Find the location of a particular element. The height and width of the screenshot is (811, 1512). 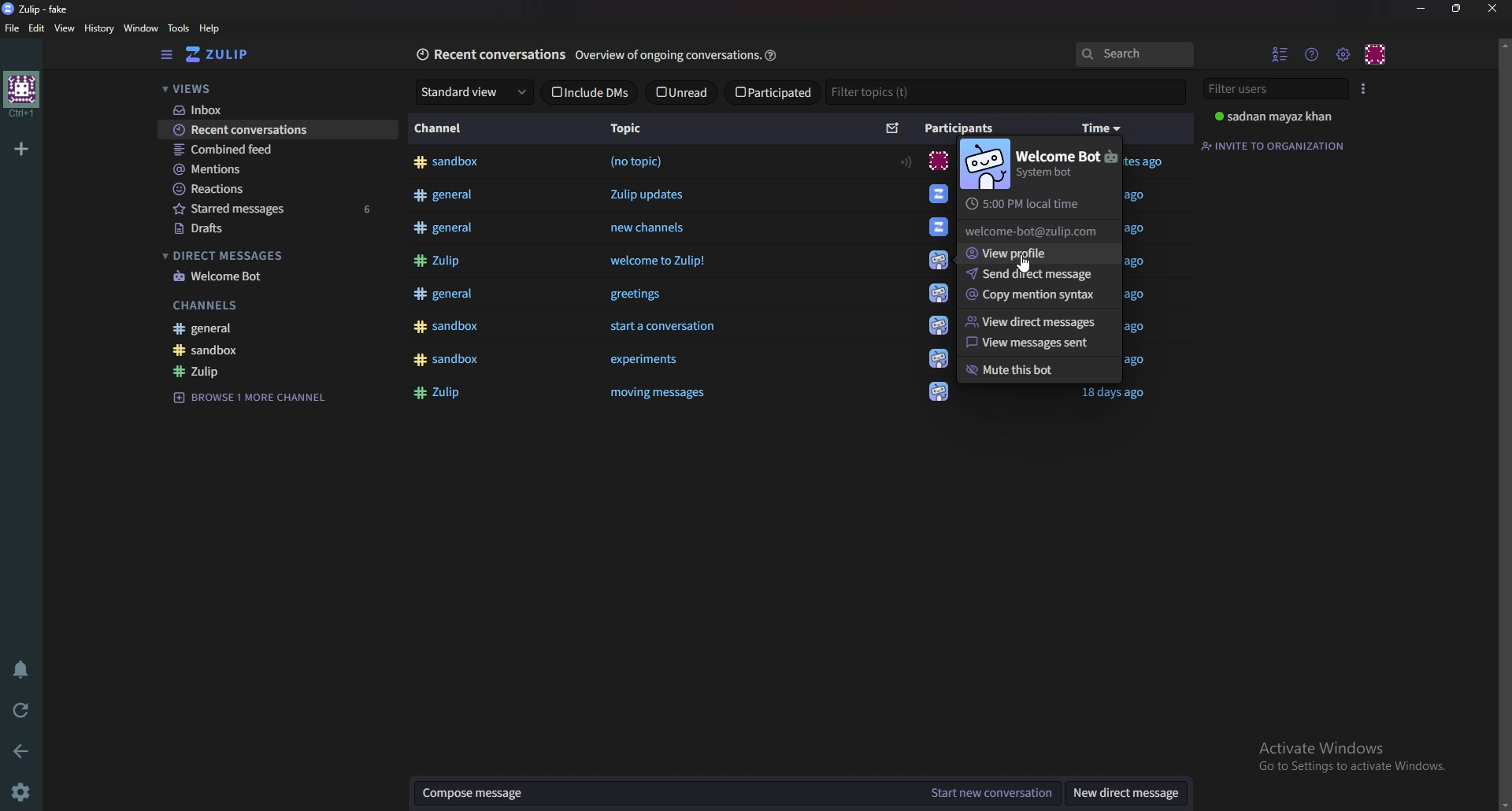

zulip - fake is located at coordinates (39, 9).